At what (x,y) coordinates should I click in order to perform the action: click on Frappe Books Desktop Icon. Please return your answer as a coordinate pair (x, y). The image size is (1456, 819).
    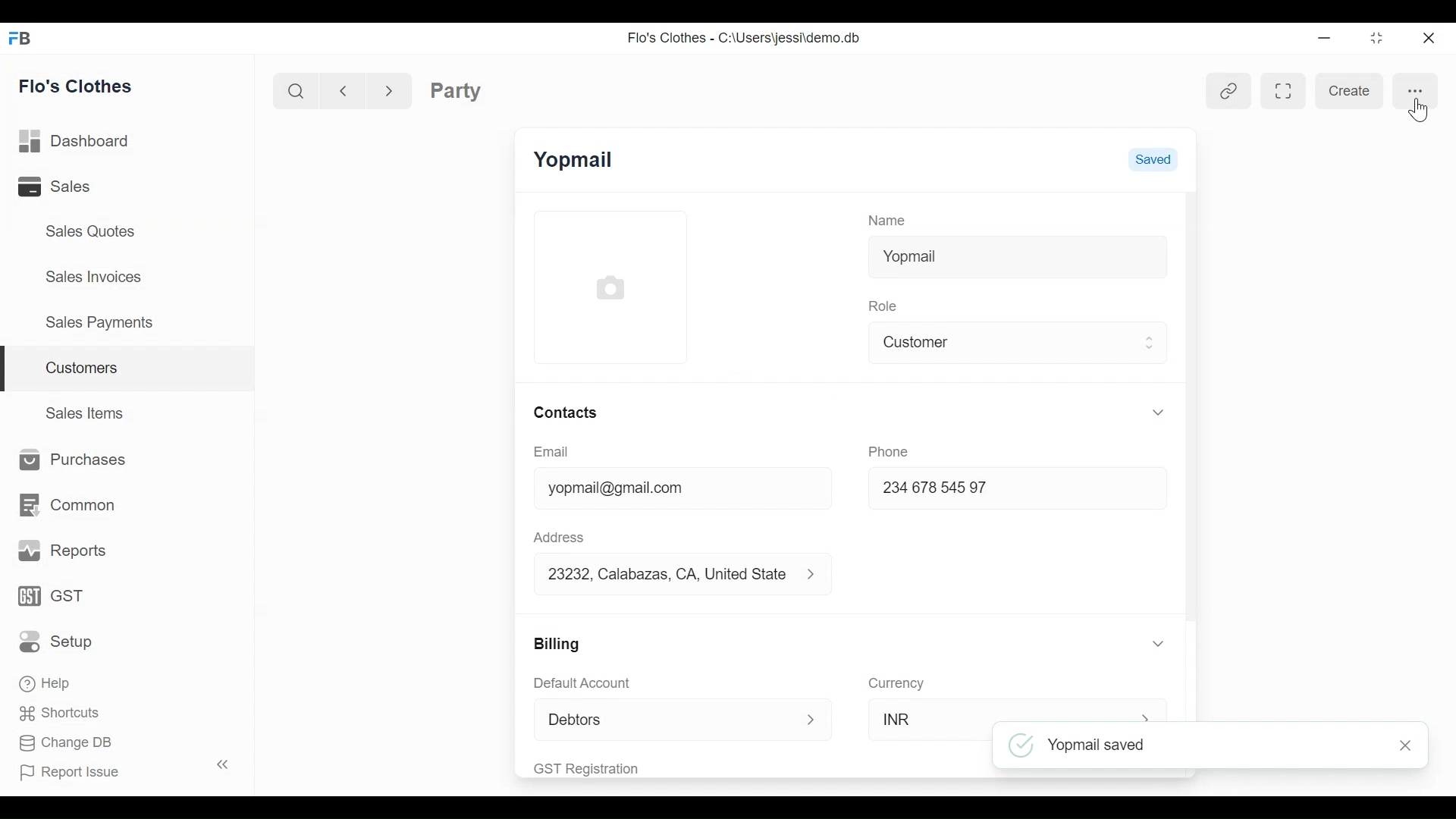
    Looking at the image, I should click on (18, 39).